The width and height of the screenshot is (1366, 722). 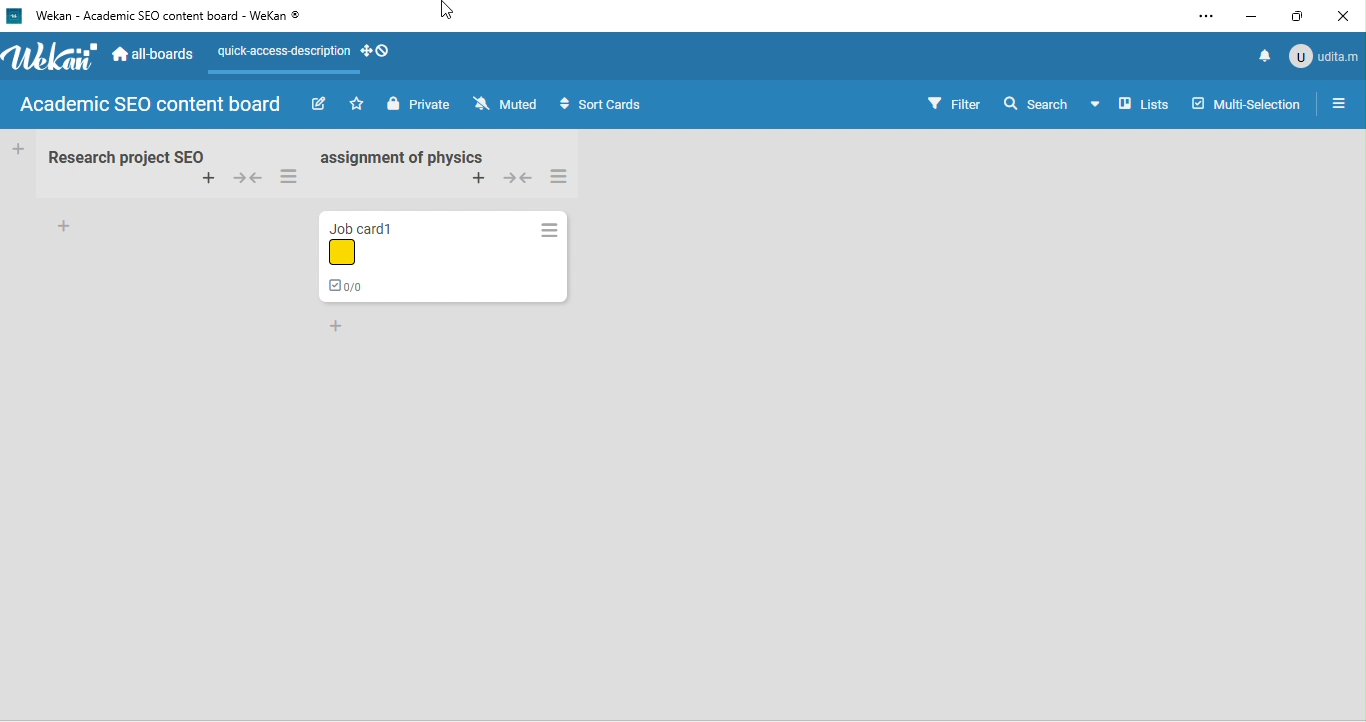 I want to click on private, so click(x=421, y=105).